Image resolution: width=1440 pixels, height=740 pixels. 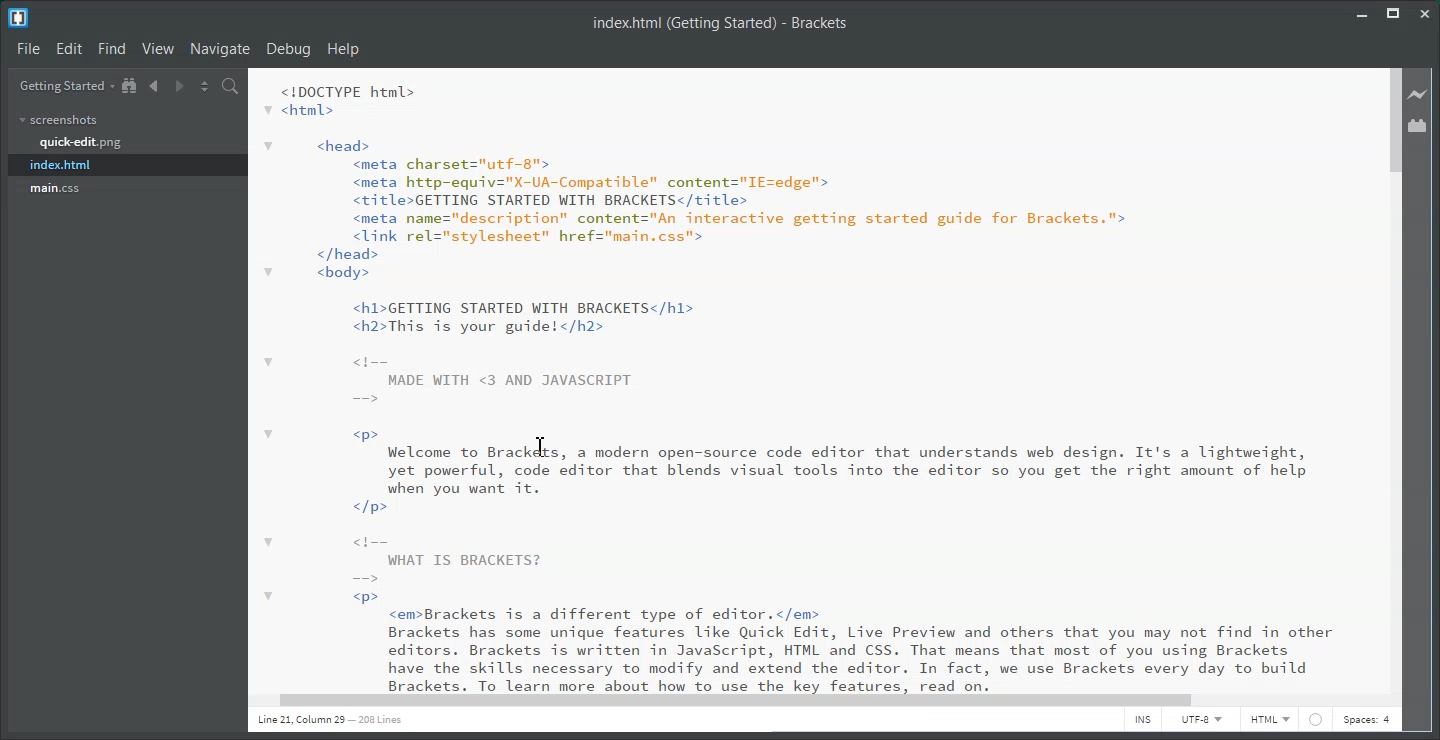 I want to click on Vertical Scroll Bar, so click(x=1394, y=386).